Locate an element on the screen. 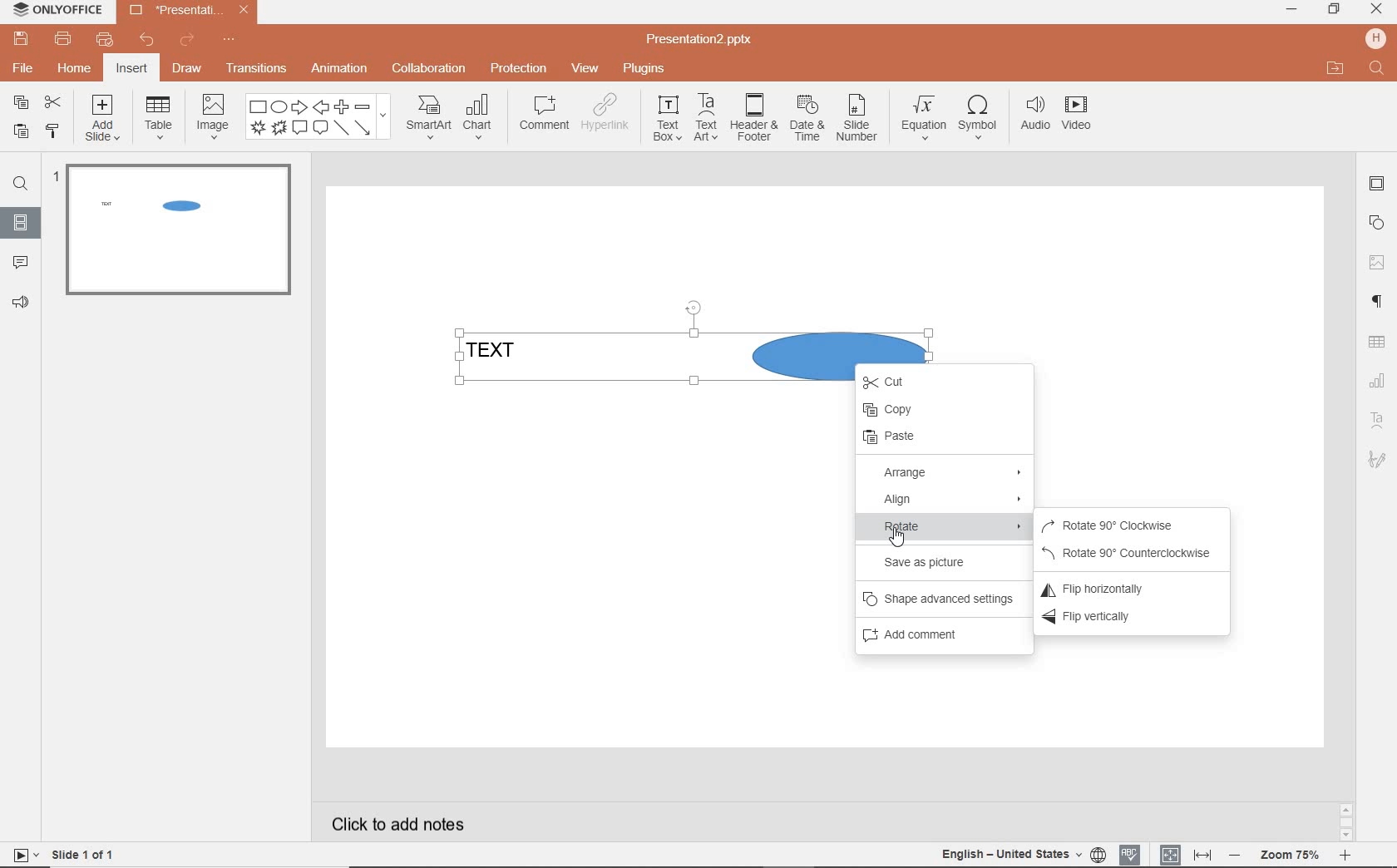  table is located at coordinates (156, 118).